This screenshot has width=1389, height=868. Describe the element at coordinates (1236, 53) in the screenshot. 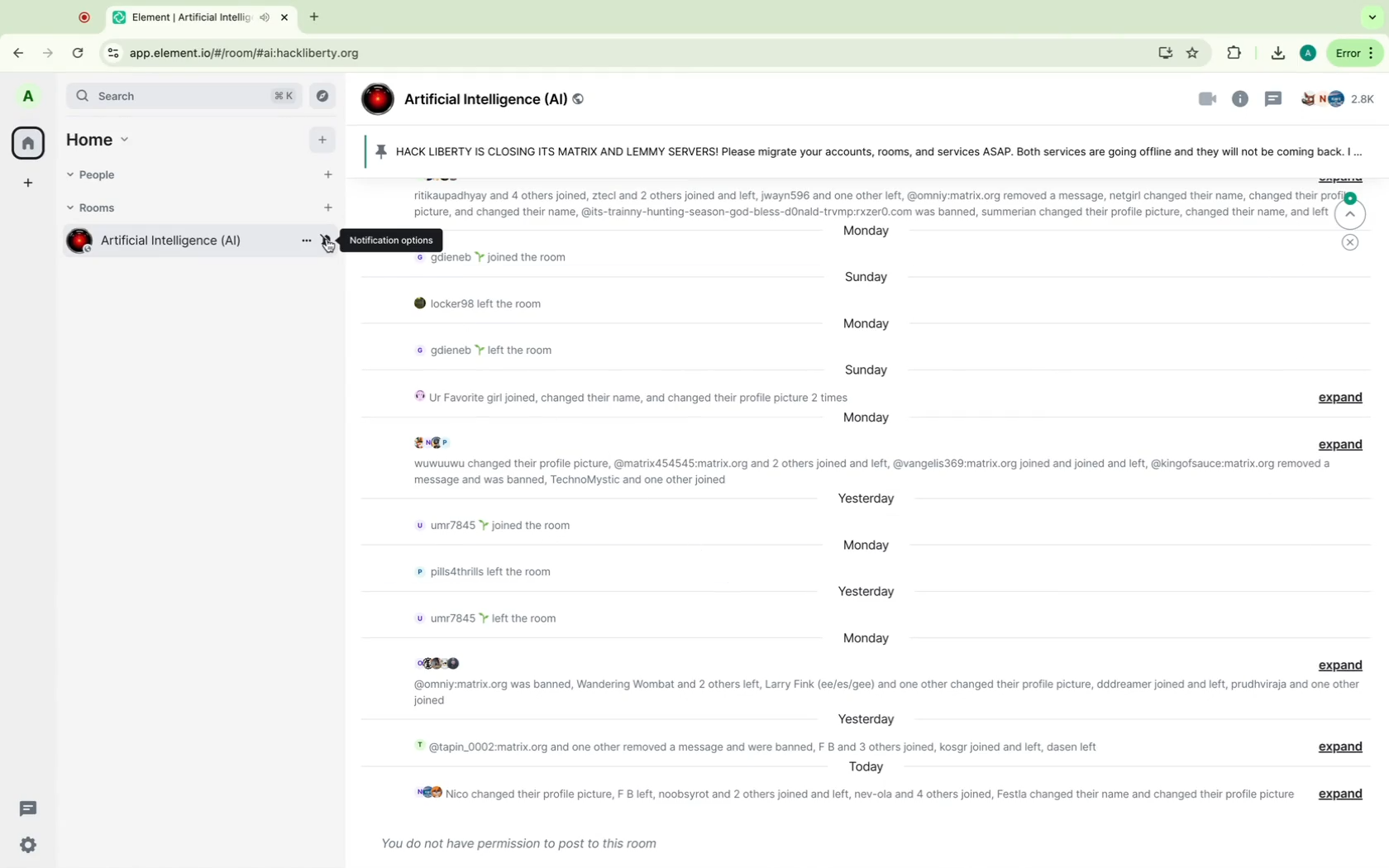

I see `extentions` at that location.